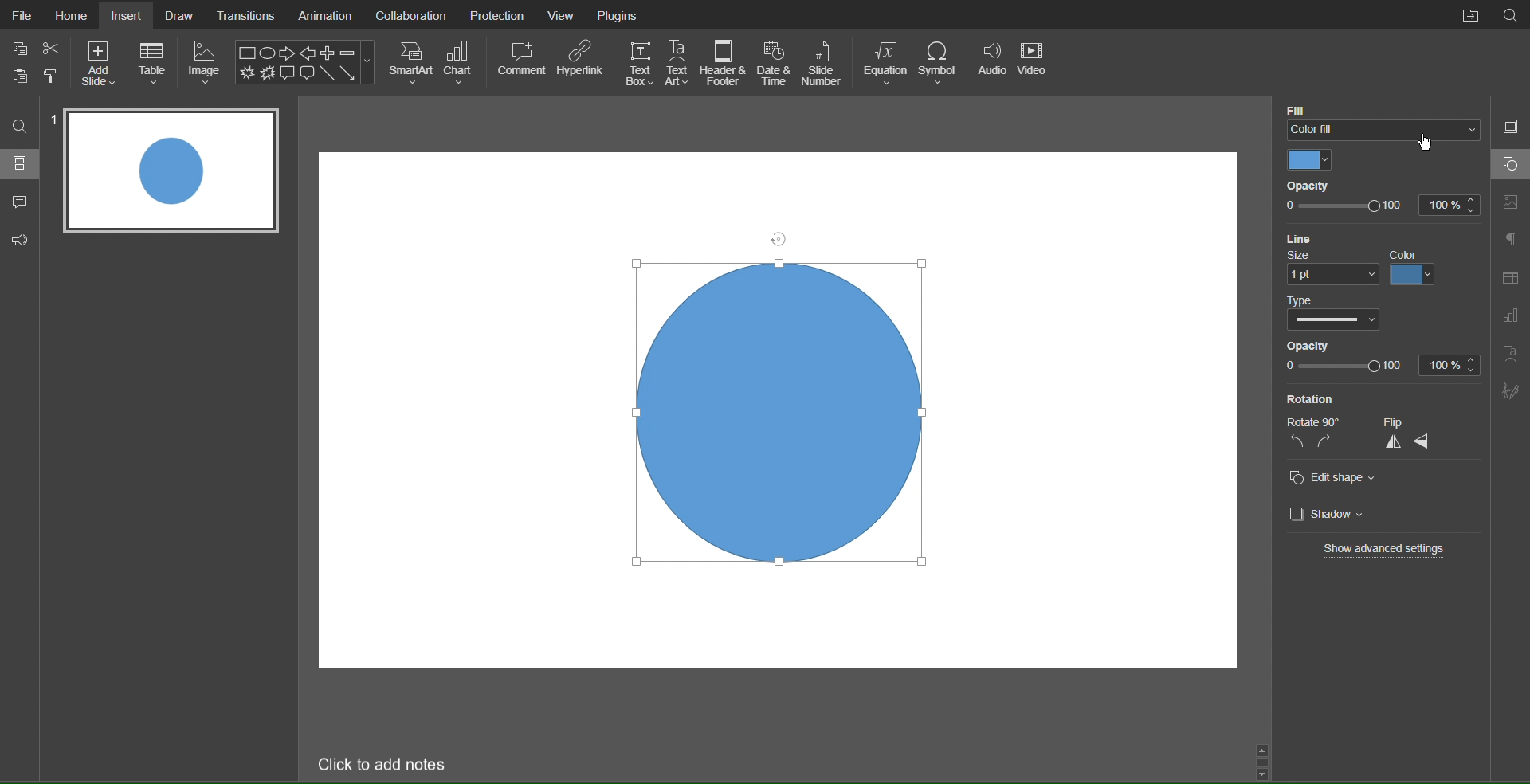 The height and width of the screenshot is (784, 1530). I want to click on Protection, so click(498, 14).